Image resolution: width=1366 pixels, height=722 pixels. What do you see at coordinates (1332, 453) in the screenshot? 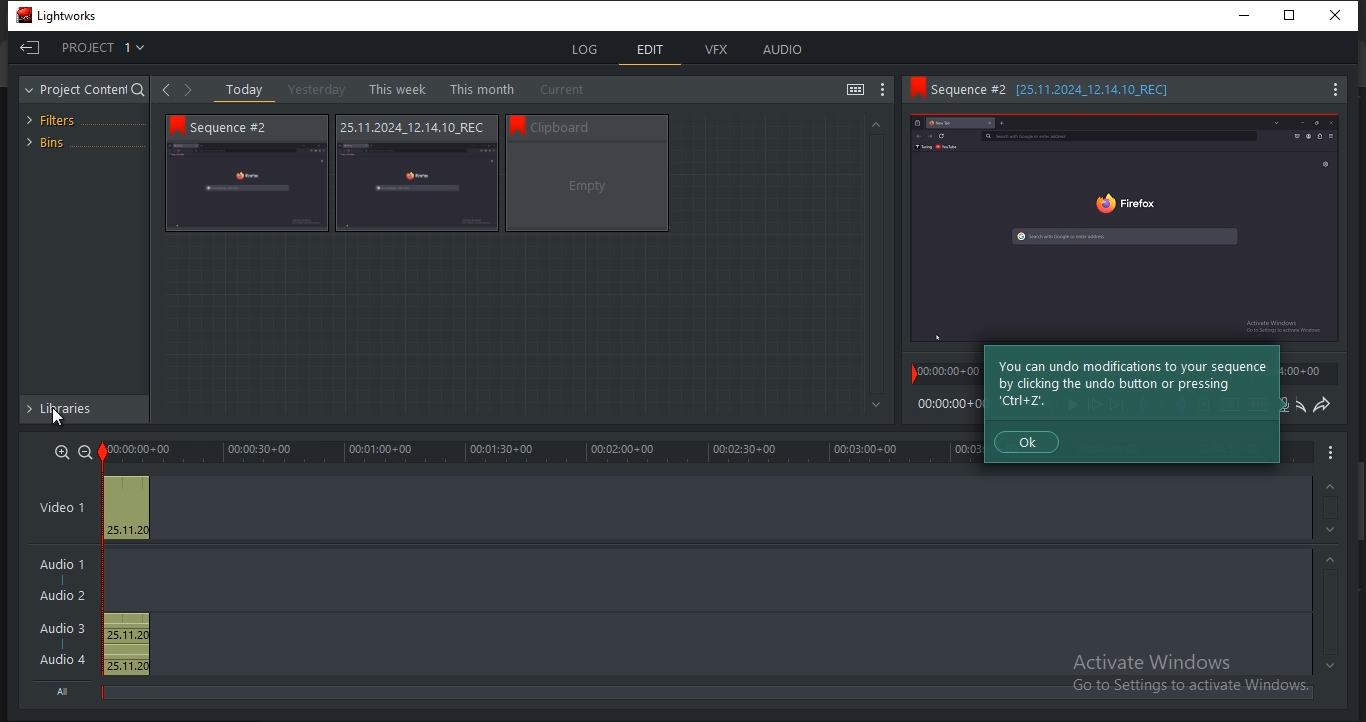
I see `Menu` at bounding box center [1332, 453].